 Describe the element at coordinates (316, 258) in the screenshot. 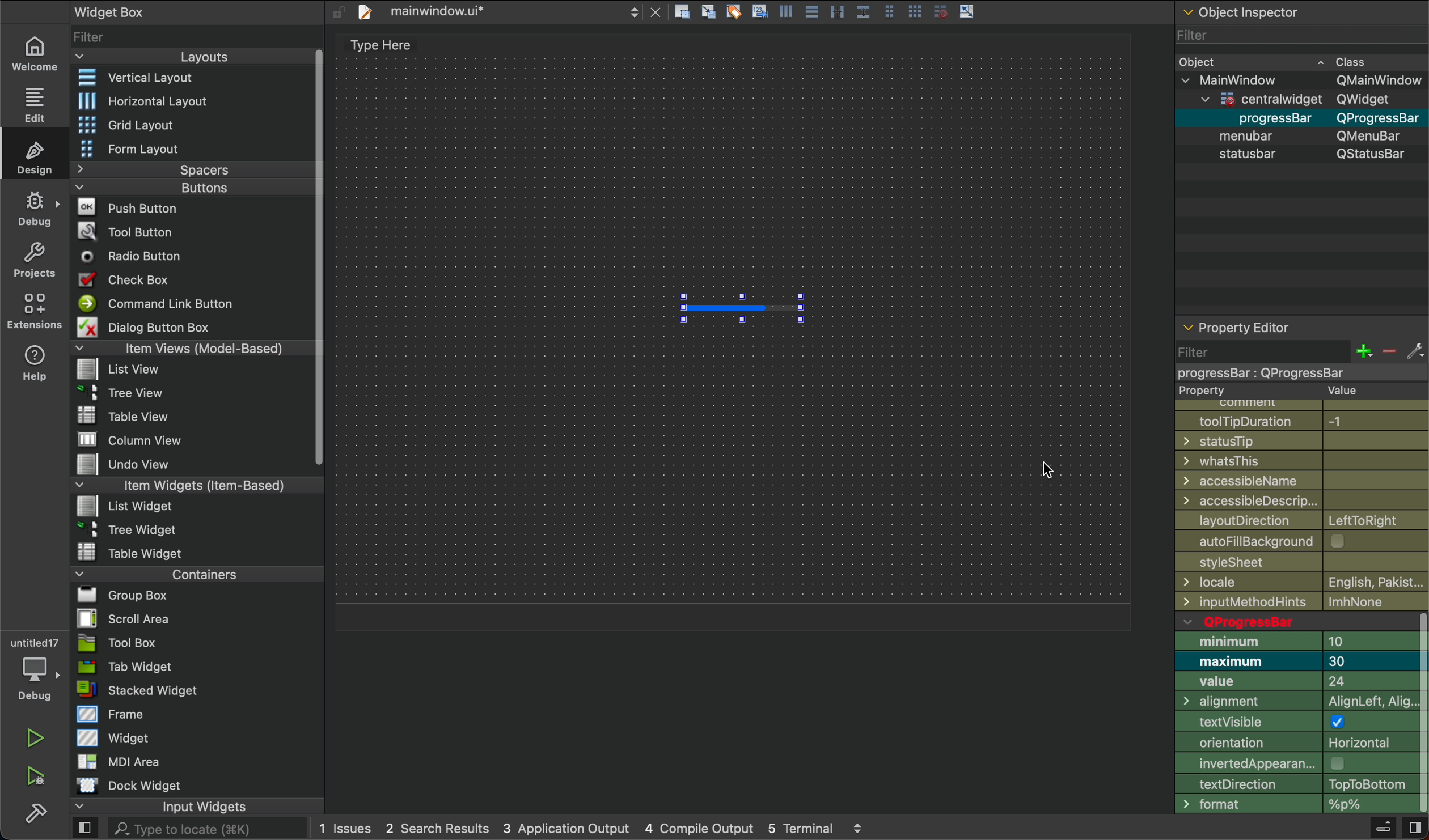

I see `Vertical Scroll` at that location.